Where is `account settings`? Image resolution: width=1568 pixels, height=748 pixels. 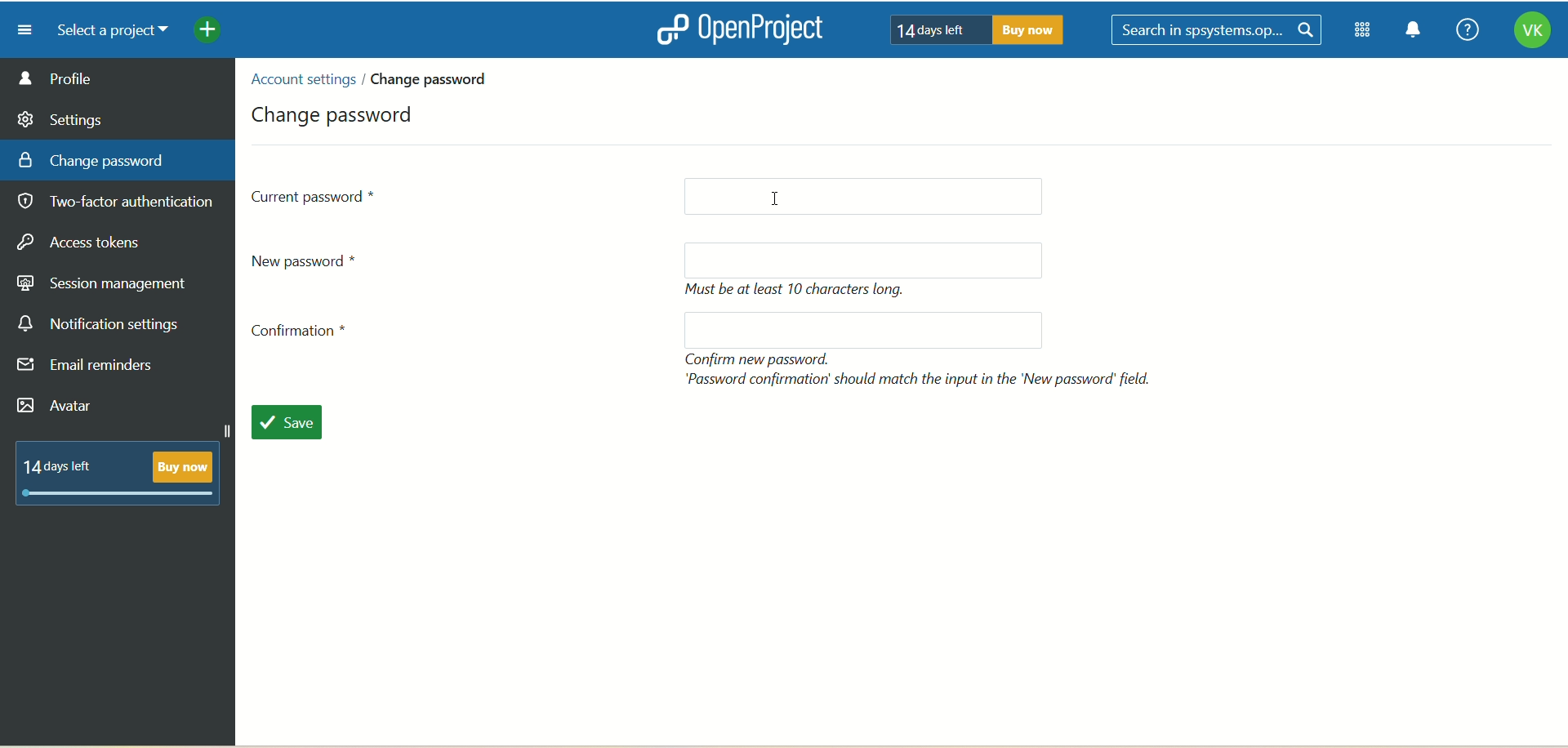
account settings is located at coordinates (301, 79).